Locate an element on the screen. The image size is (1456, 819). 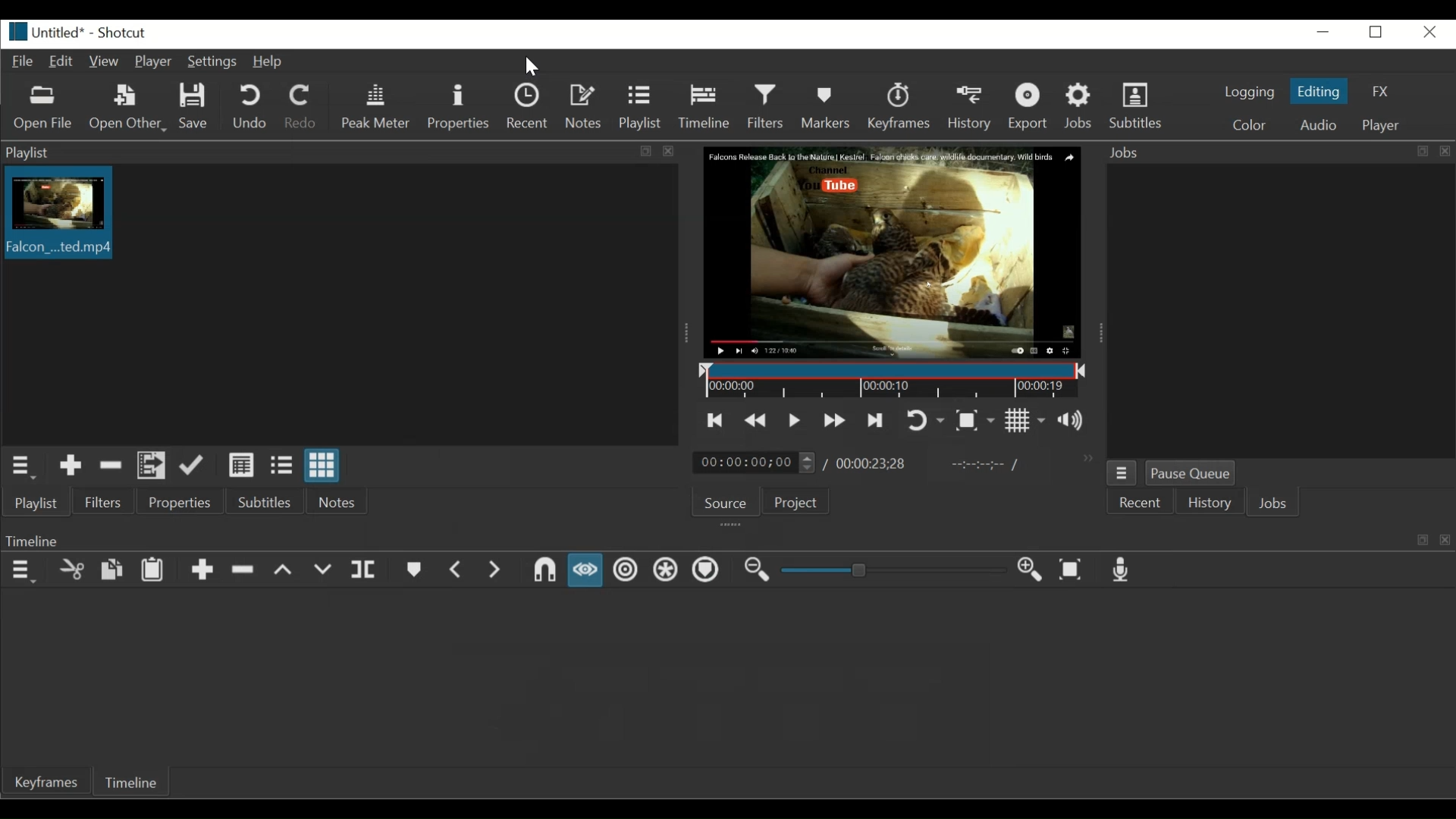
Export is located at coordinates (1031, 109).